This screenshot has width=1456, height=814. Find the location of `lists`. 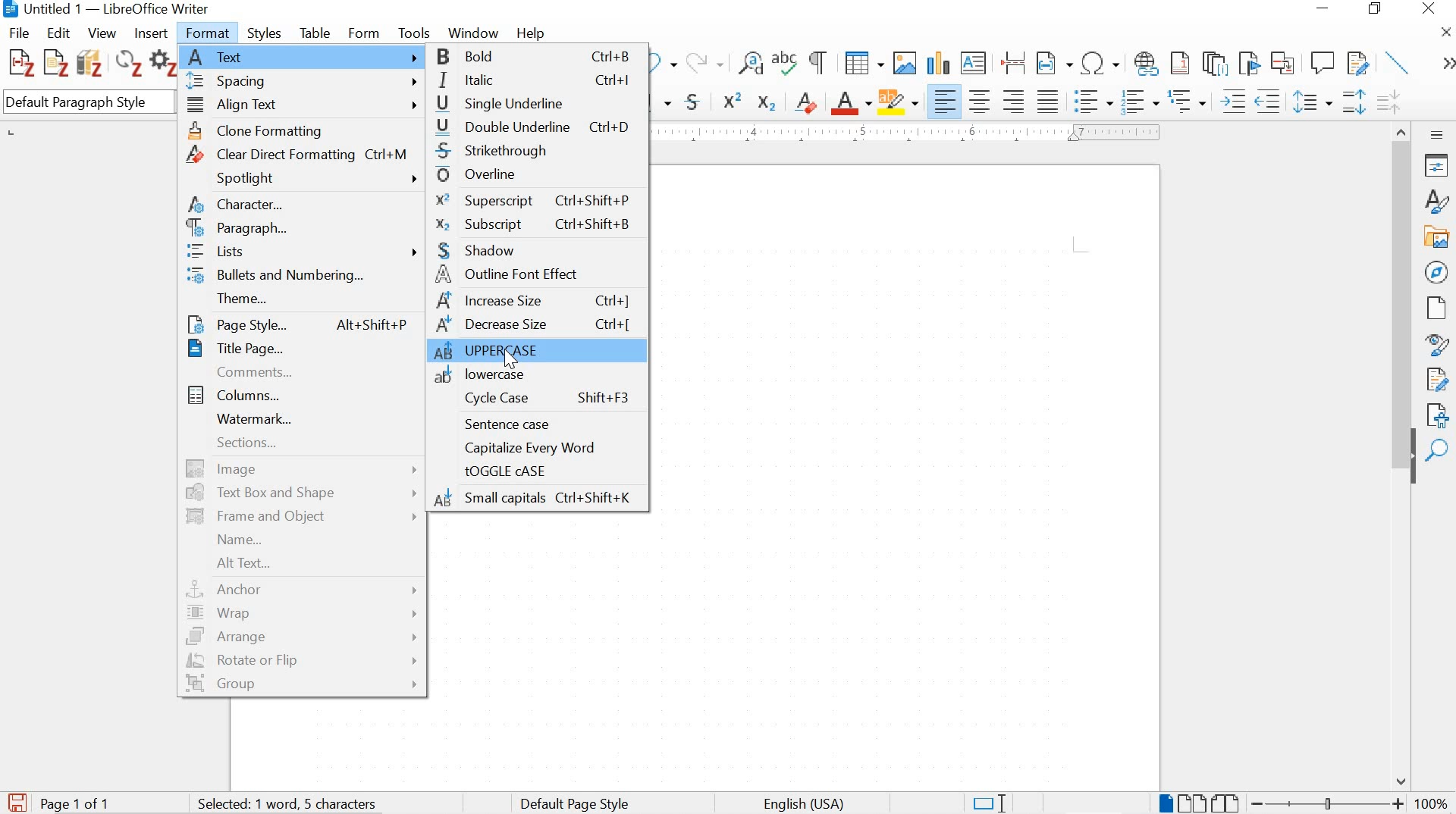

lists is located at coordinates (304, 253).